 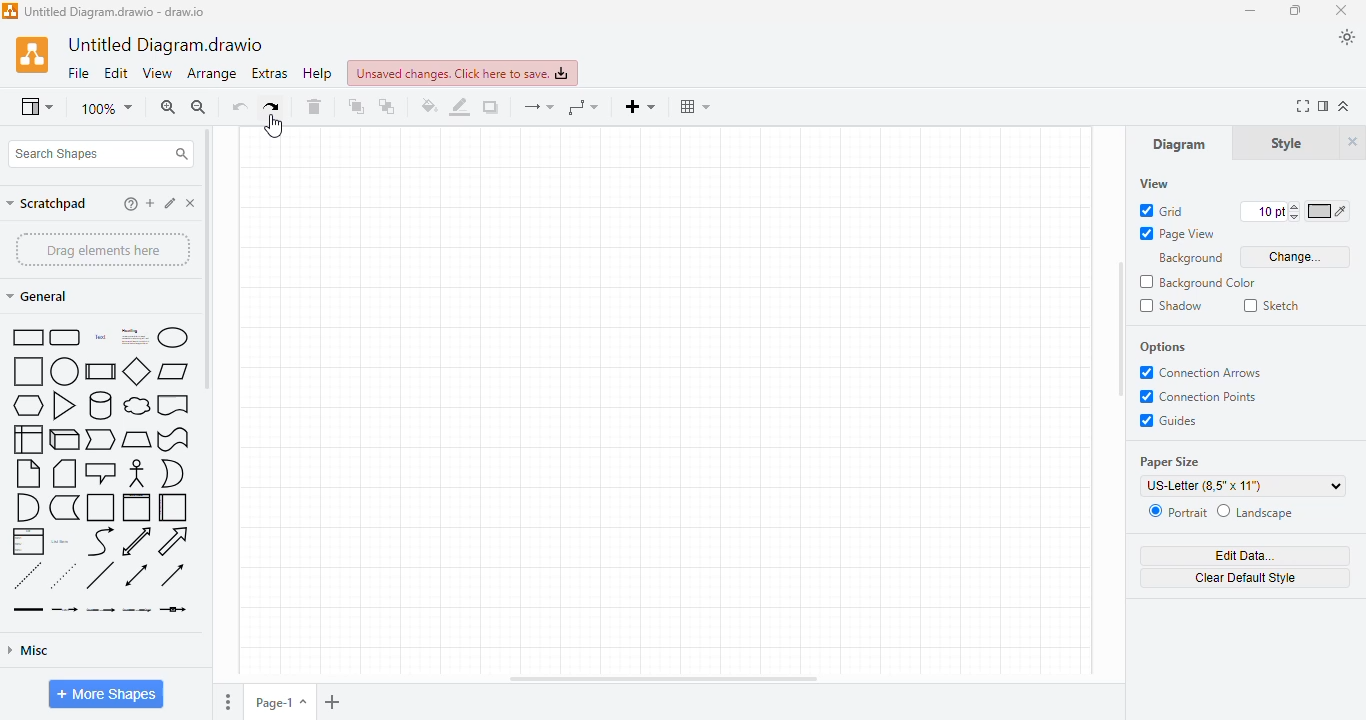 What do you see at coordinates (1252, 12) in the screenshot?
I see `minimize` at bounding box center [1252, 12].